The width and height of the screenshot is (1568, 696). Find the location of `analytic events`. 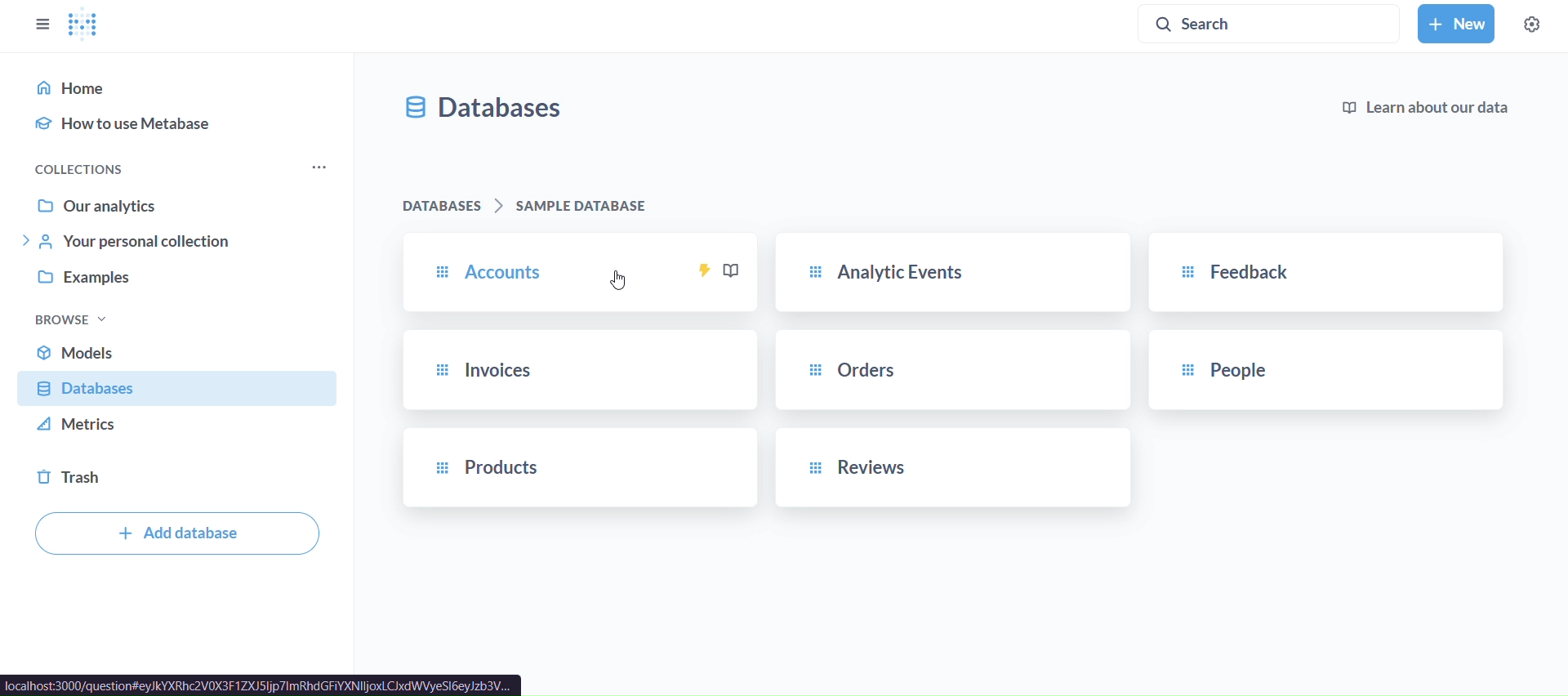

analytic events is located at coordinates (952, 270).